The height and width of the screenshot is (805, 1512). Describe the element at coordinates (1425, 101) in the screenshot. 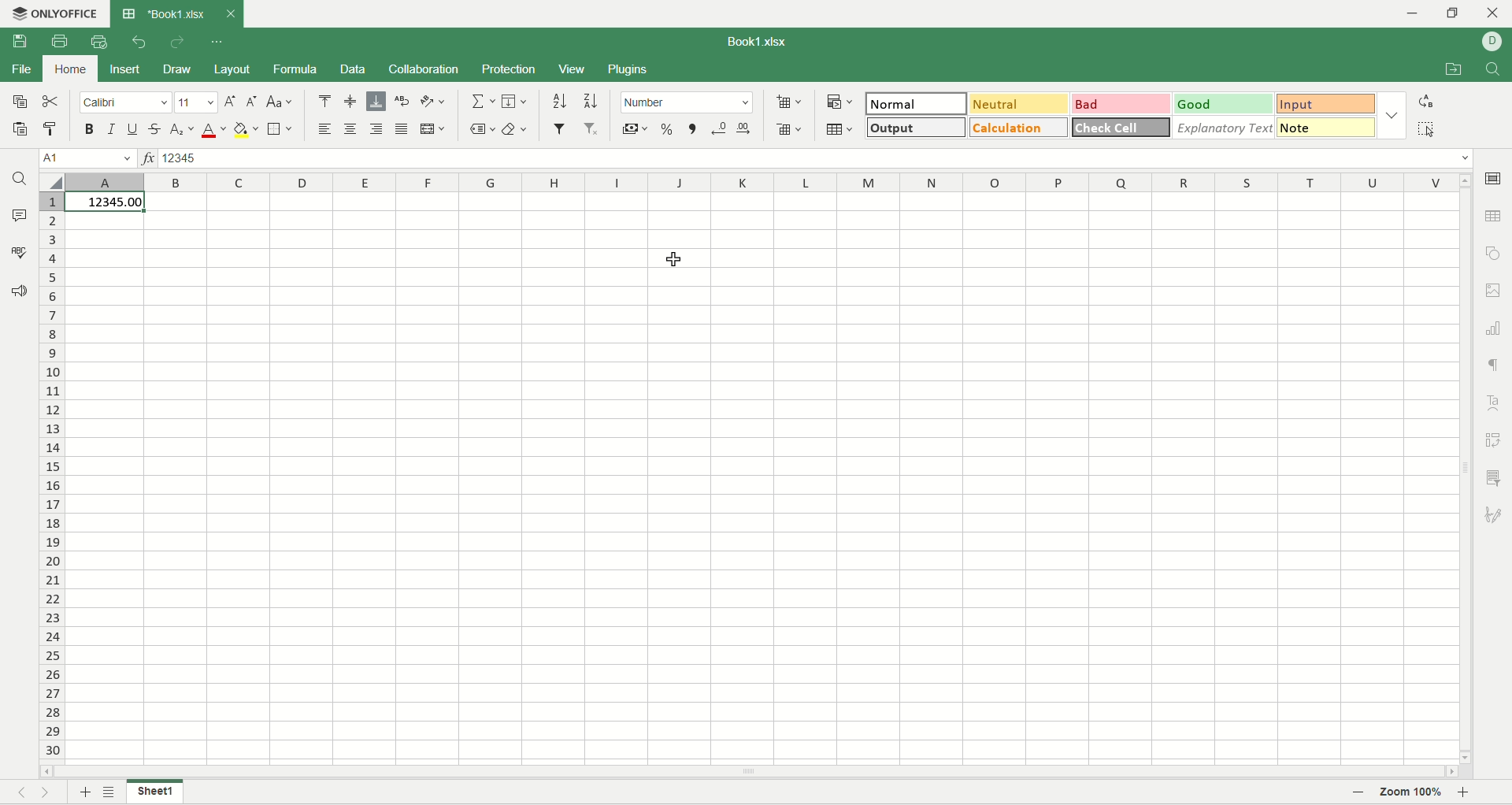

I see `replace` at that location.